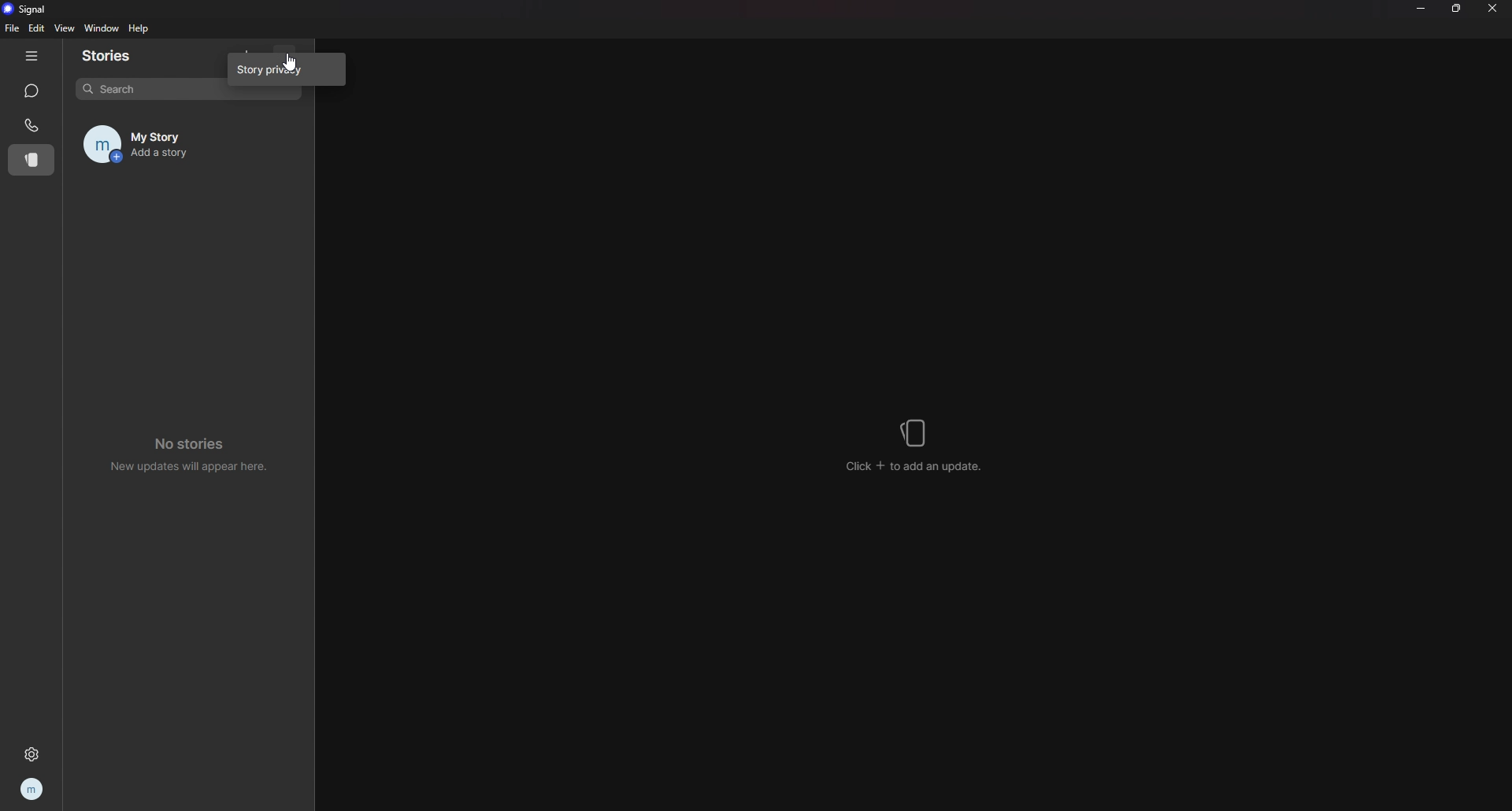 This screenshot has width=1512, height=811. Describe the element at coordinates (14, 28) in the screenshot. I see `file` at that location.